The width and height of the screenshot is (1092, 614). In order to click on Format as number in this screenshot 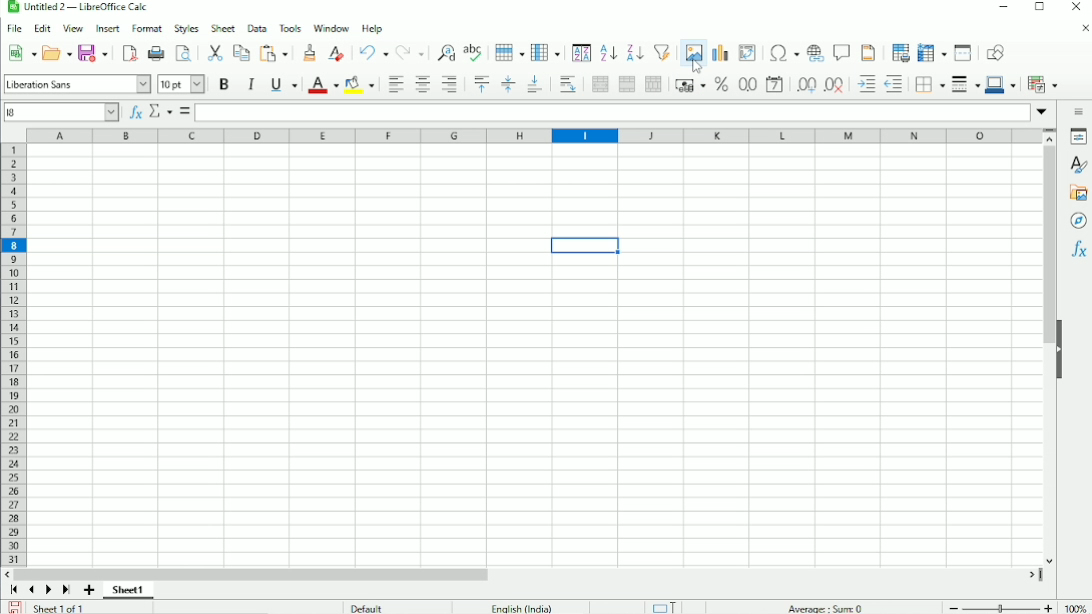, I will do `click(745, 85)`.